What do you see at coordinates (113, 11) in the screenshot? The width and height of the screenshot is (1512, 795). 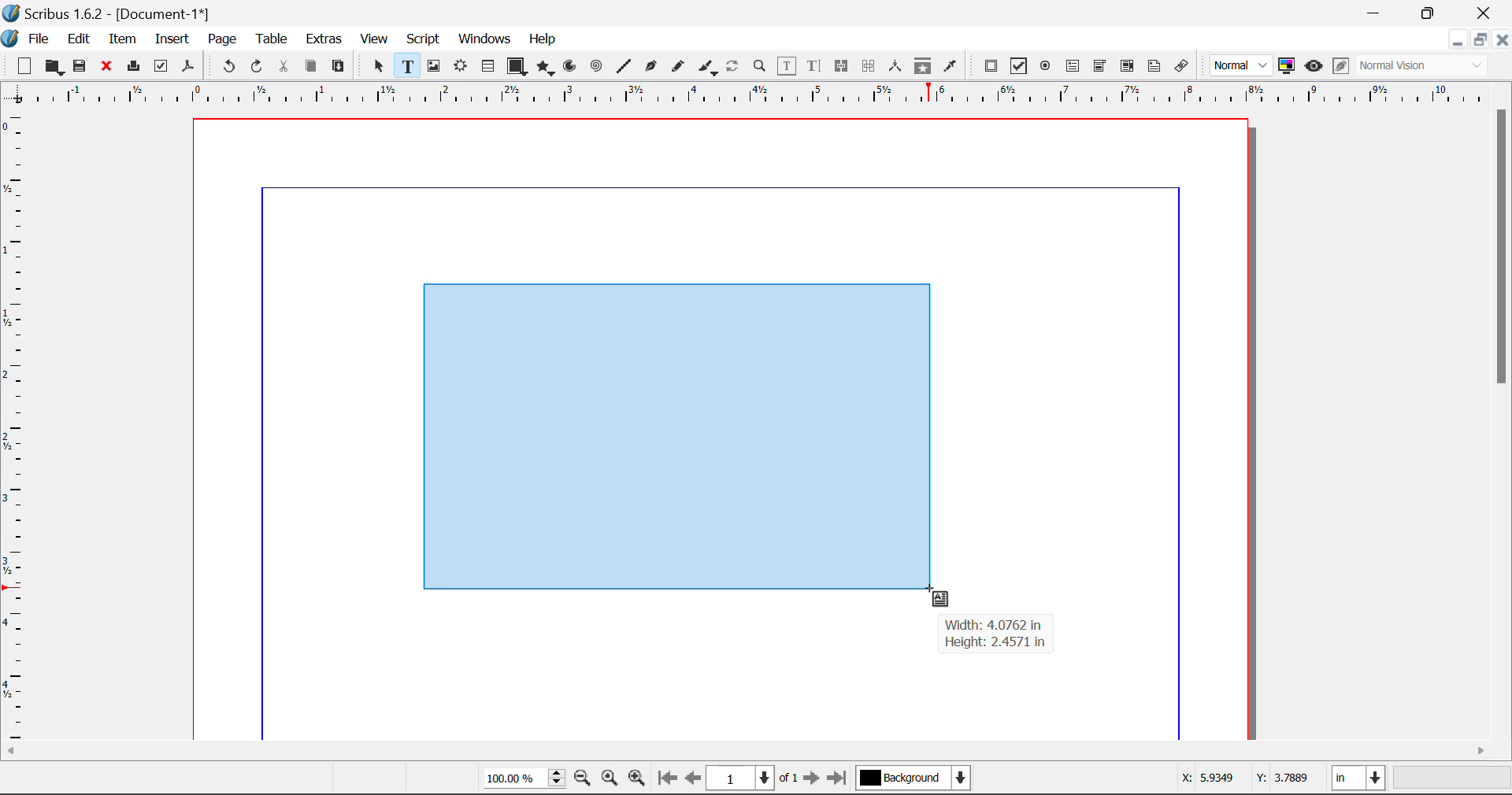 I see `Scribus 1.62 - [Document-1*]` at bounding box center [113, 11].